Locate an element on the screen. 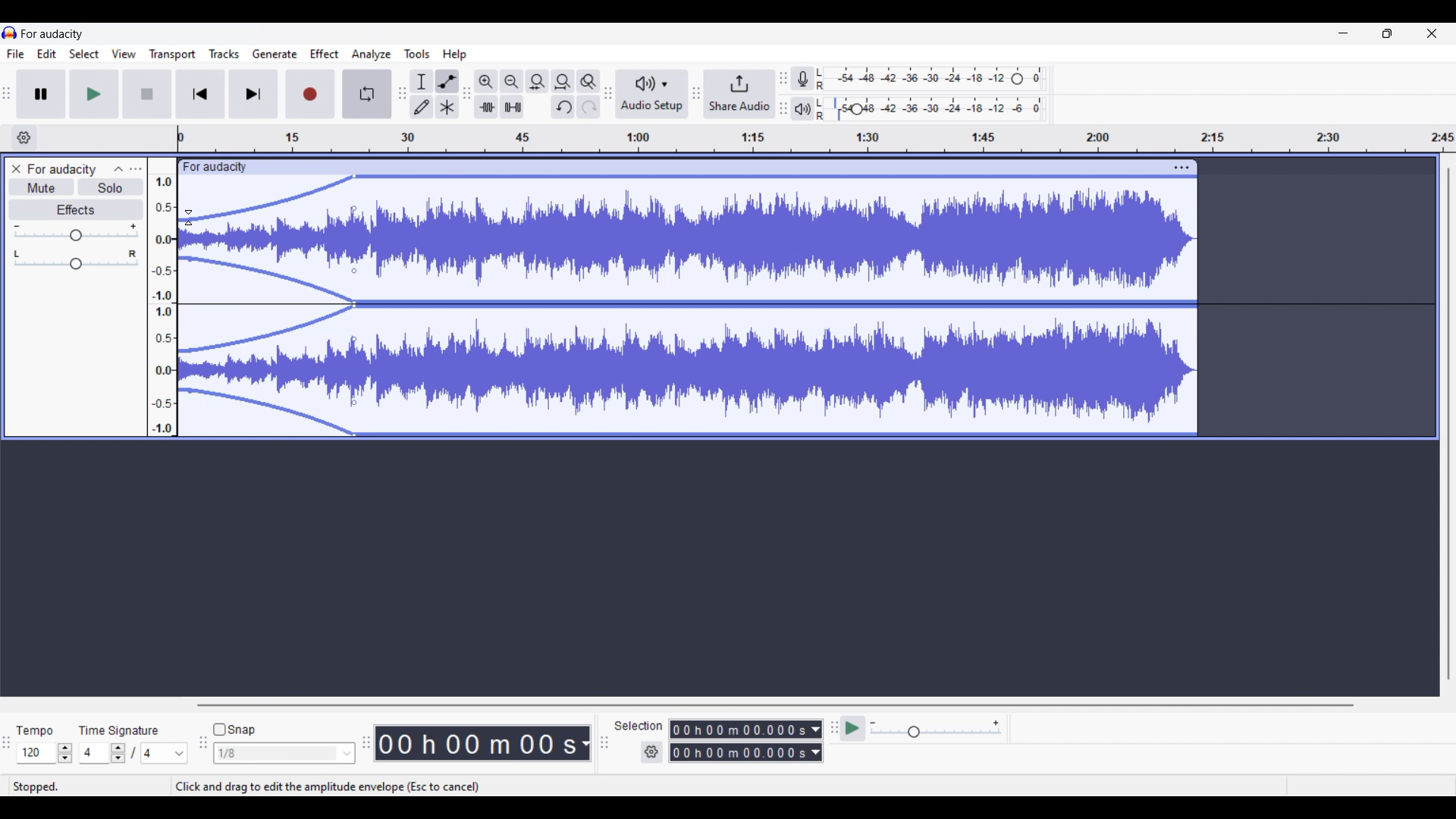 The width and height of the screenshot is (1456, 819). Cursor position unchanged after dragging waves closer is located at coordinates (189, 218).